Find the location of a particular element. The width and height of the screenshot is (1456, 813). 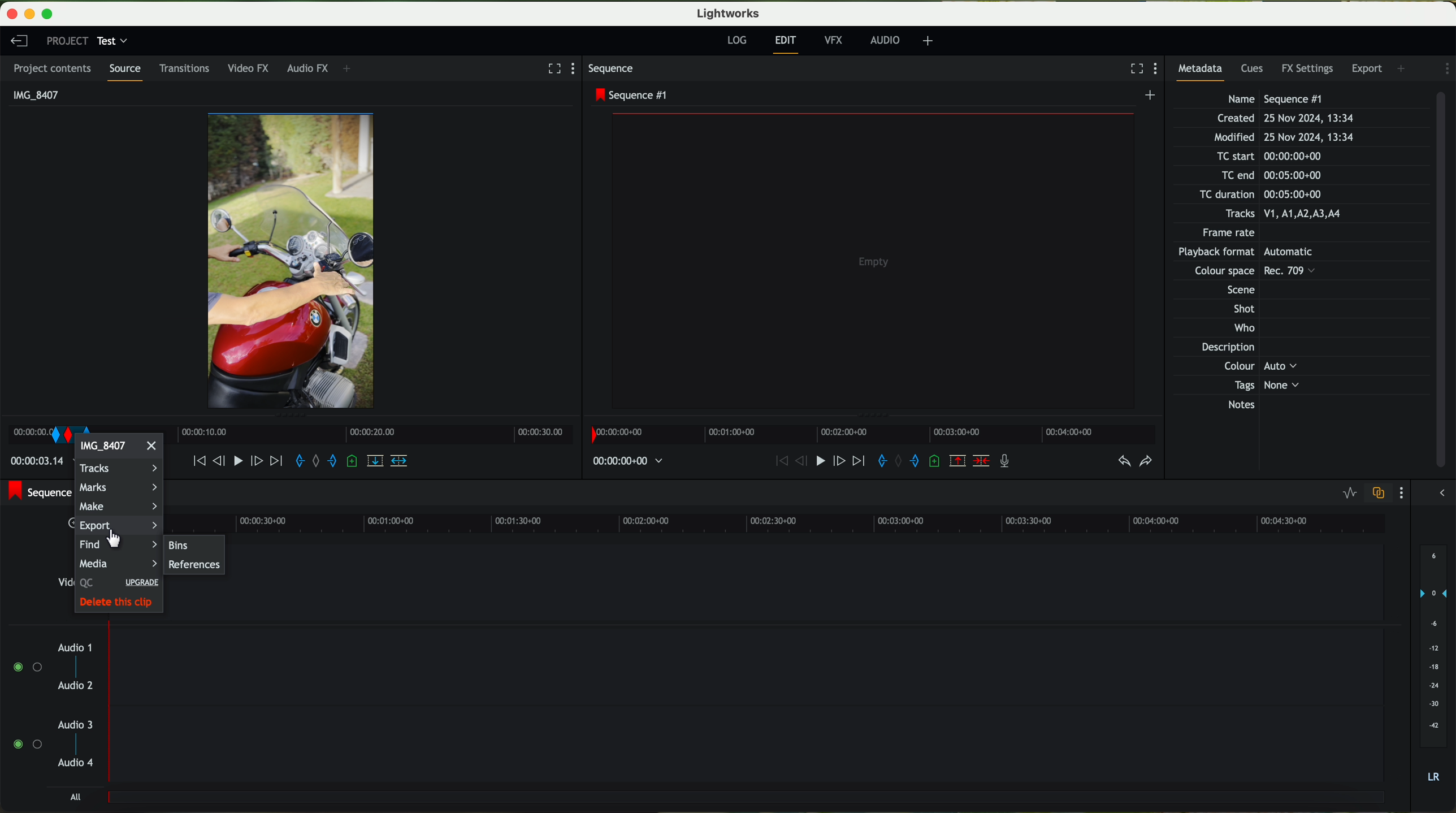

metadata is located at coordinates (1204, 71).